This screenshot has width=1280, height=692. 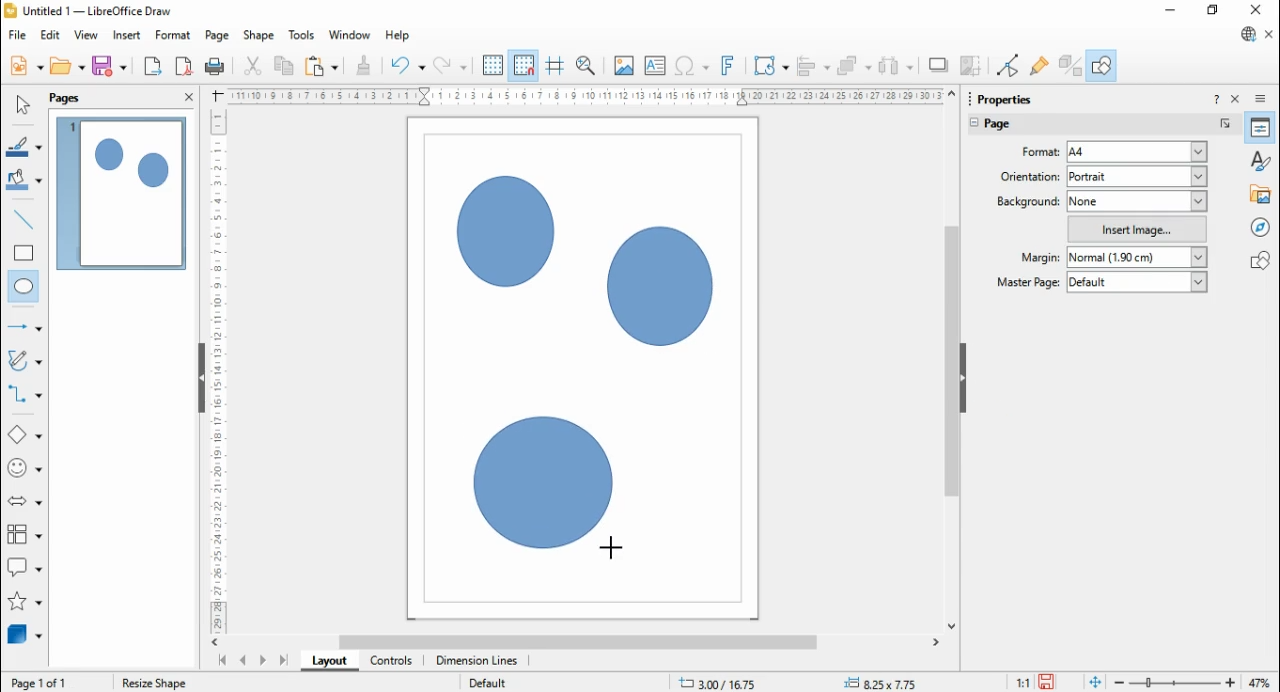 I want to click on clone formatting, so click(x=364, y=65).